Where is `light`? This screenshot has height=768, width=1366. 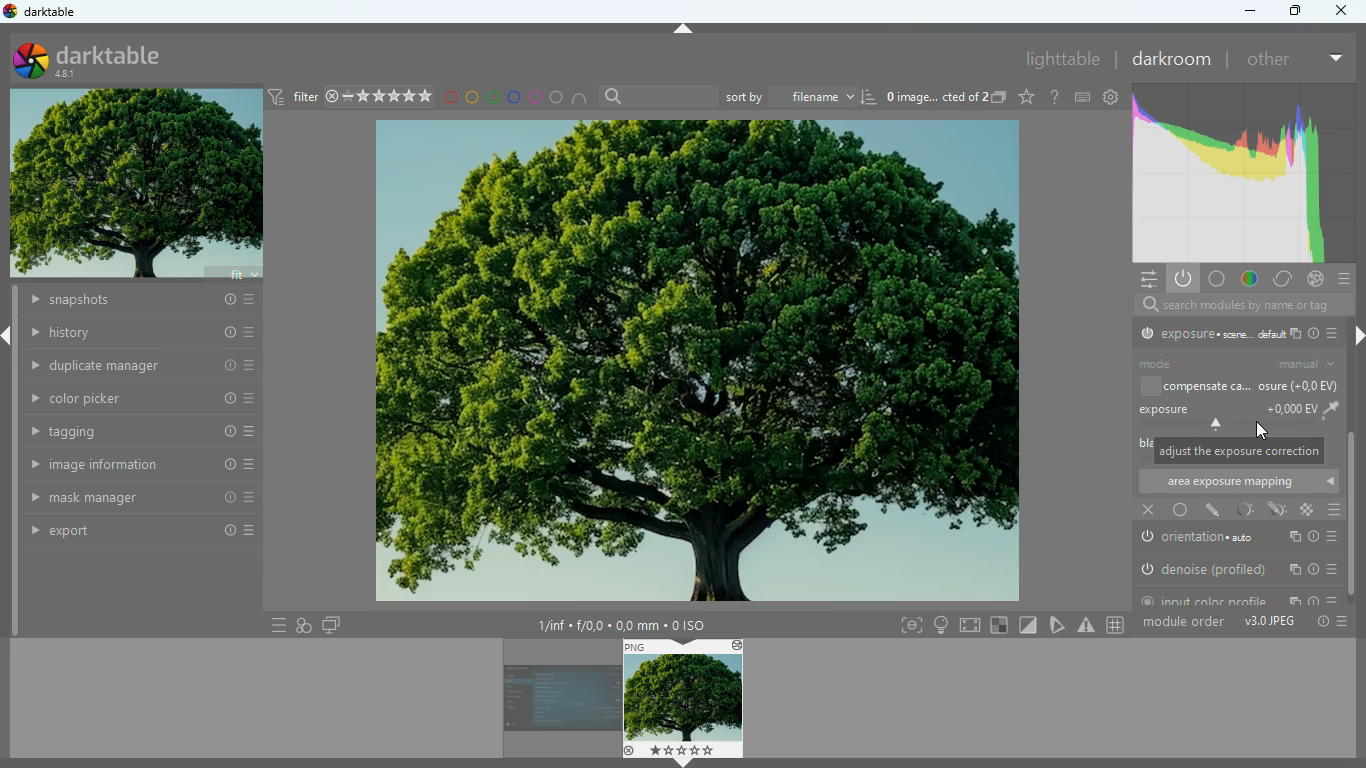
light is located at coordinates (939, 624).